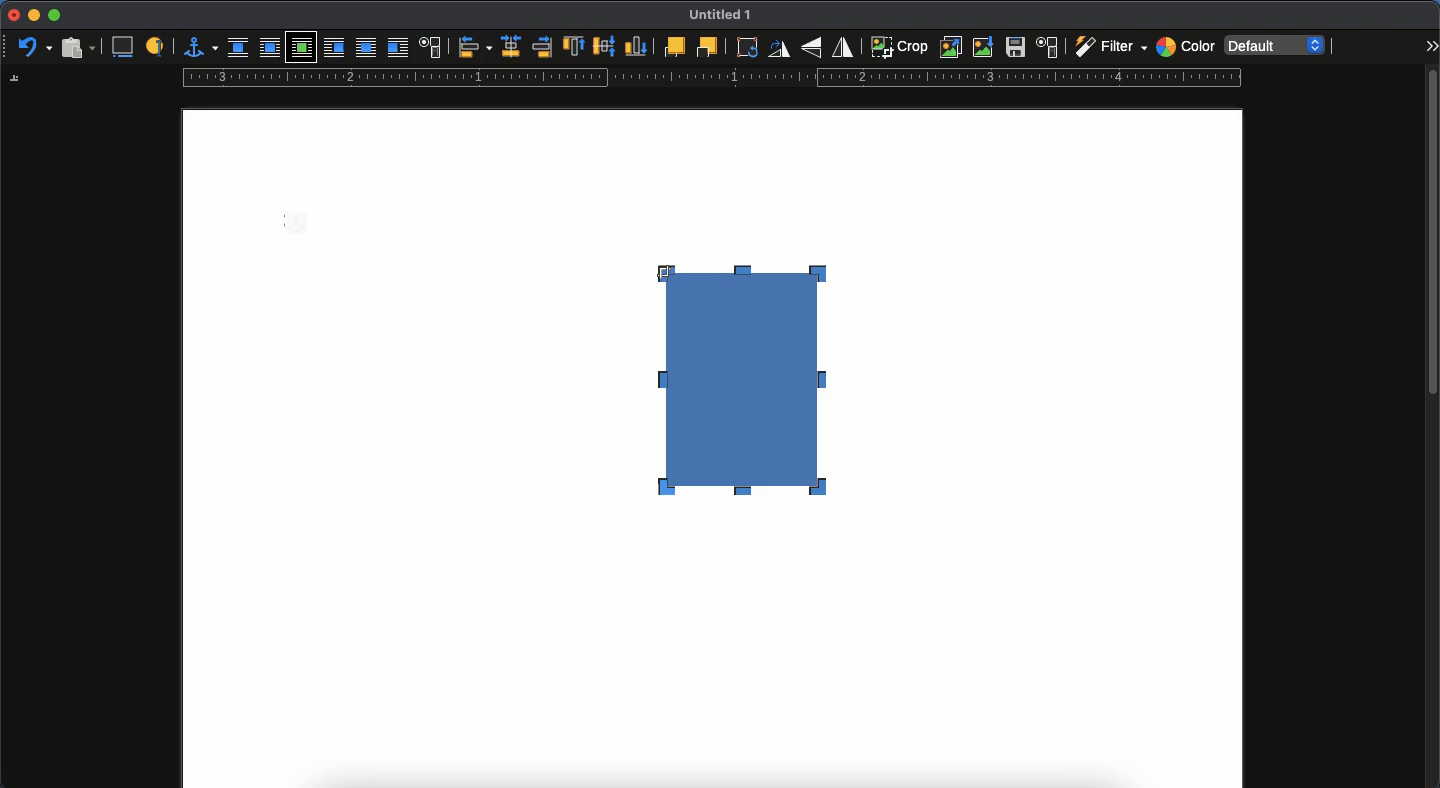 The width and height of the screenshot is (1440, 788). What do you see at coordinates (605, 46) in the screenshot?
I see `middle to anchor` at bounding box center [605, 46].